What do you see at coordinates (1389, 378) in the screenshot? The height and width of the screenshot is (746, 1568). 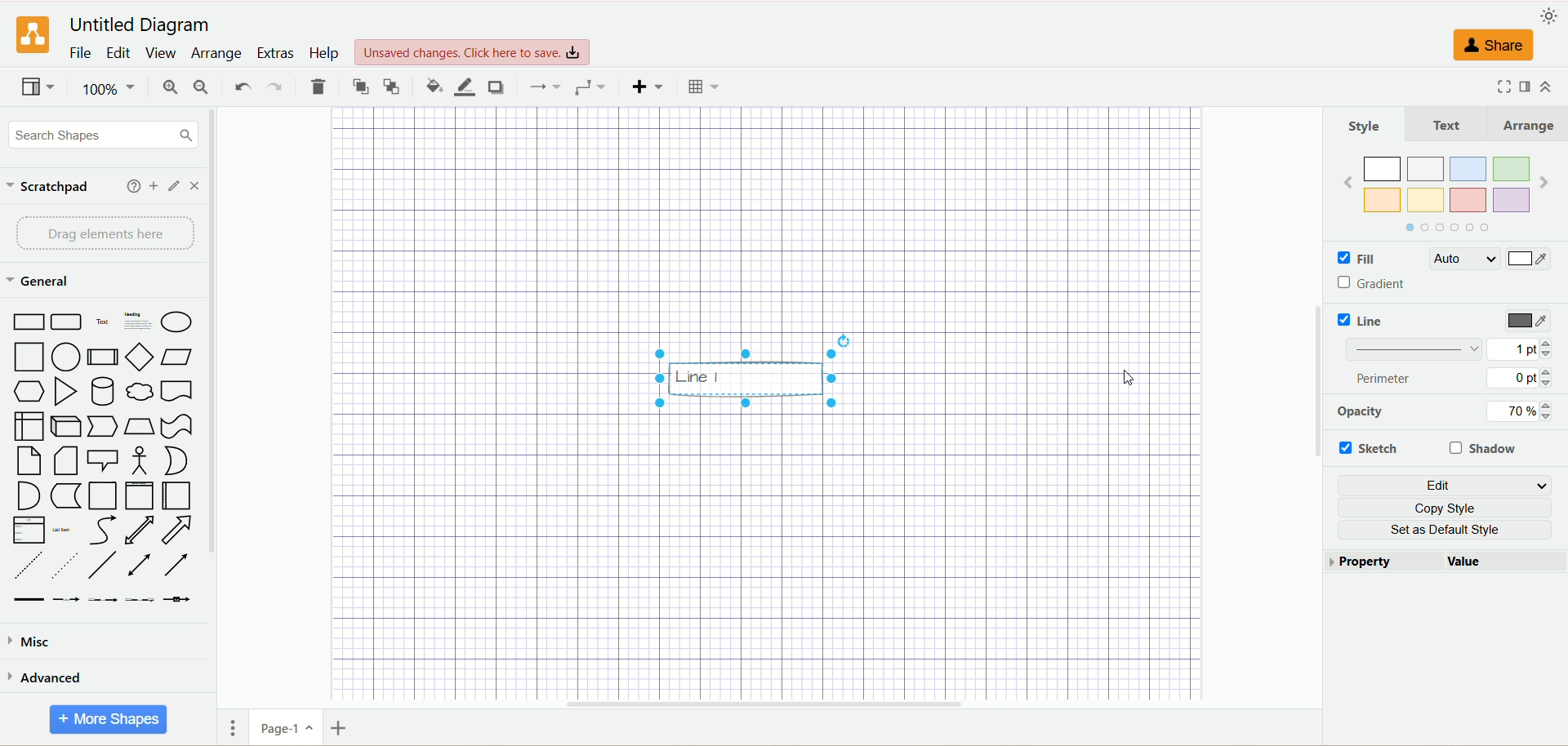 I see `perimeter` at bounding box center [1389, 378].